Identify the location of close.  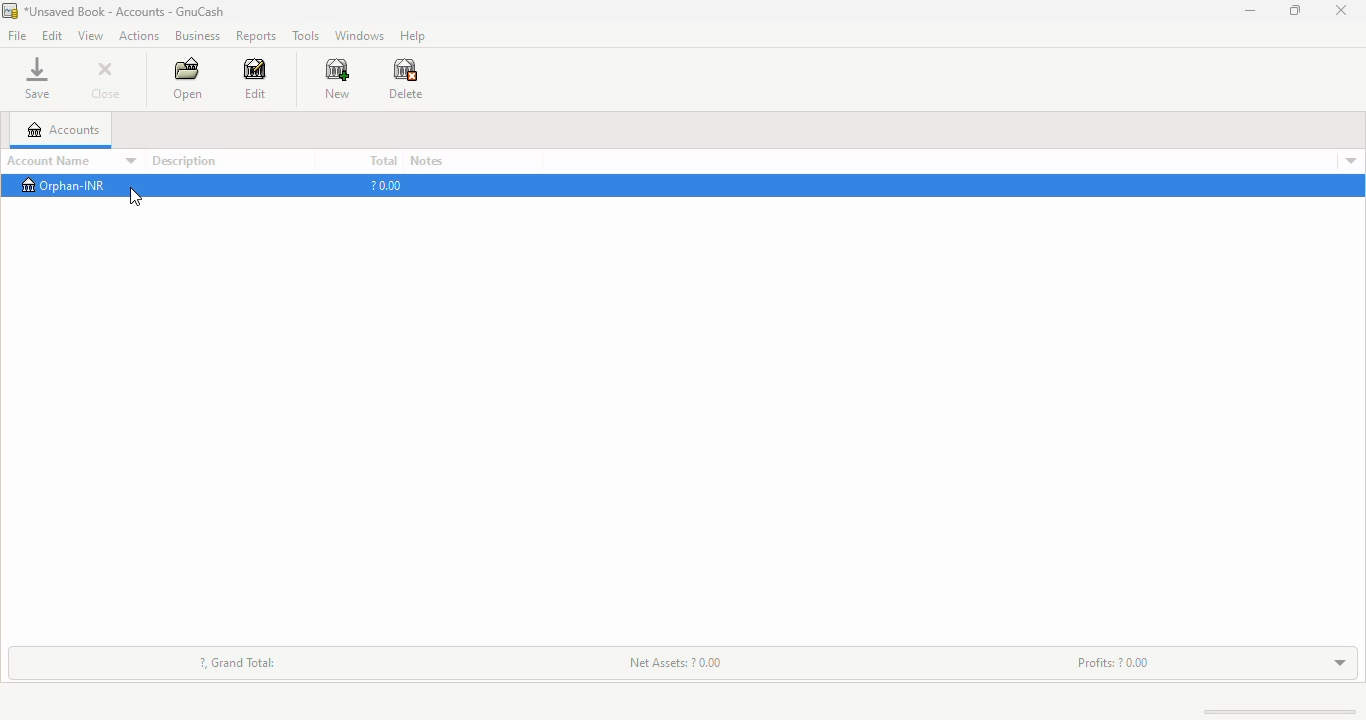
(1341, 10).